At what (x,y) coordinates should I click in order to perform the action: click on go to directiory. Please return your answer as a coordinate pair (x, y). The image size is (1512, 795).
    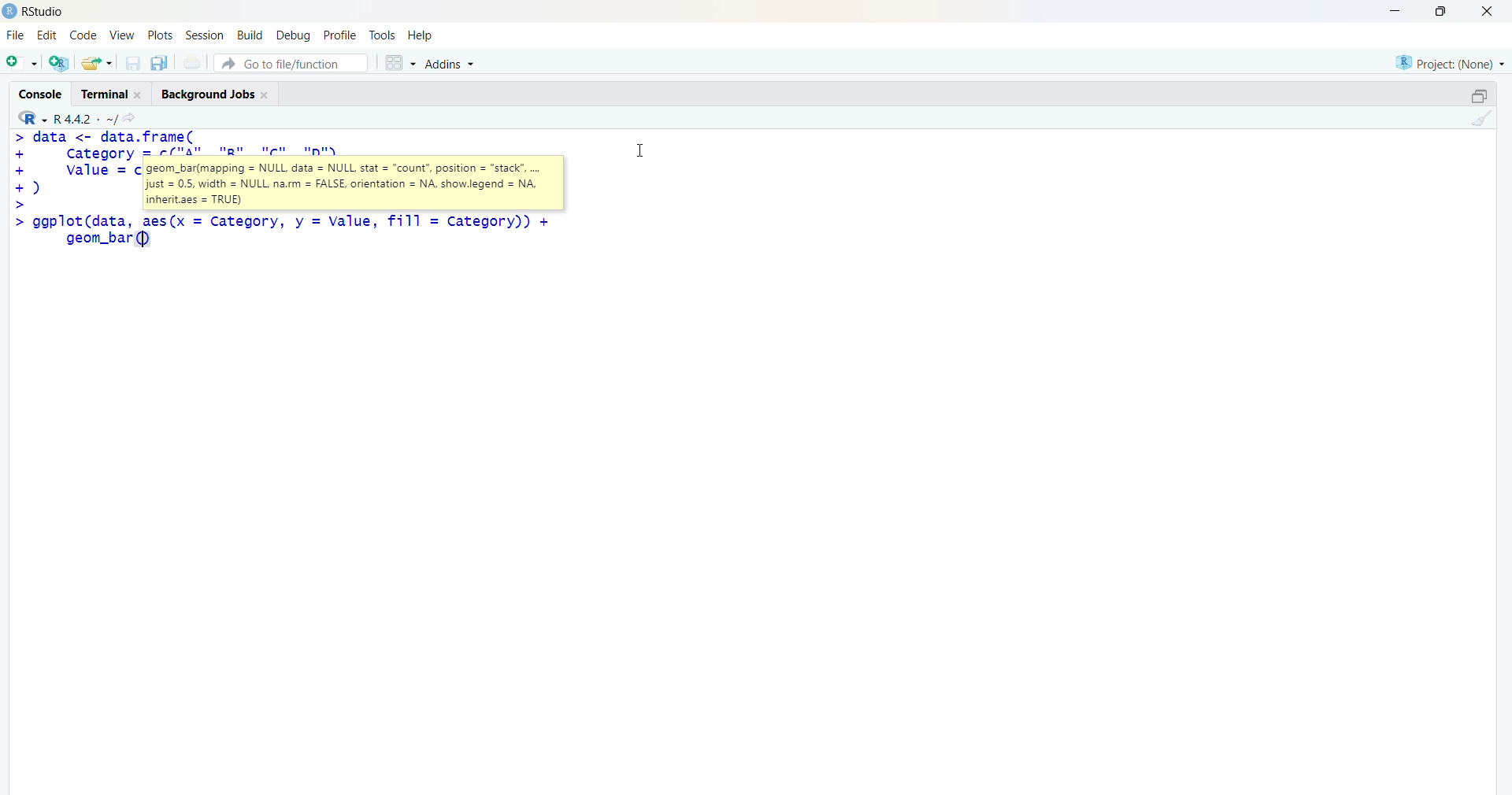
    Looking at the image, I should click on (133, 118).